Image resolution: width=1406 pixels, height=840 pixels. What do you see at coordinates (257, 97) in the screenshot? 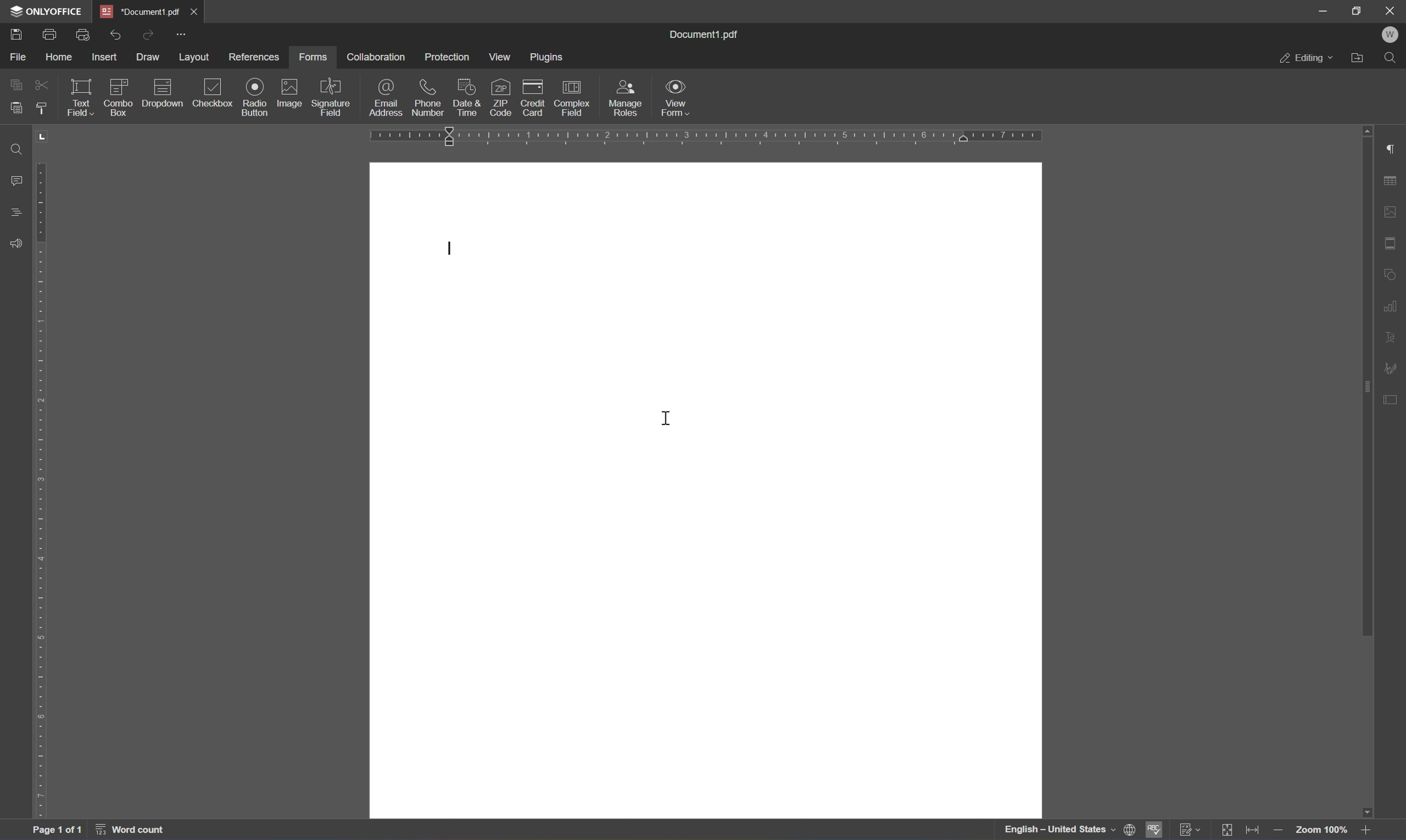
I see `radio button` at bounding box center [257, 97].